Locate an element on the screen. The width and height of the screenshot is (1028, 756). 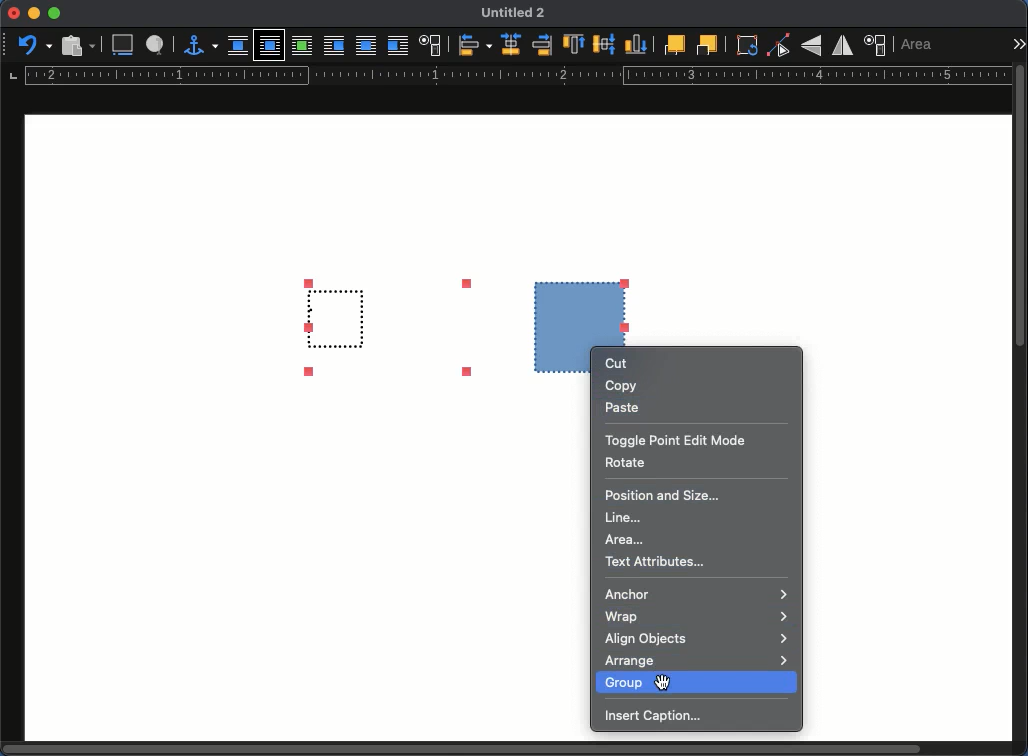
point  is located at coordinates (778, 45).